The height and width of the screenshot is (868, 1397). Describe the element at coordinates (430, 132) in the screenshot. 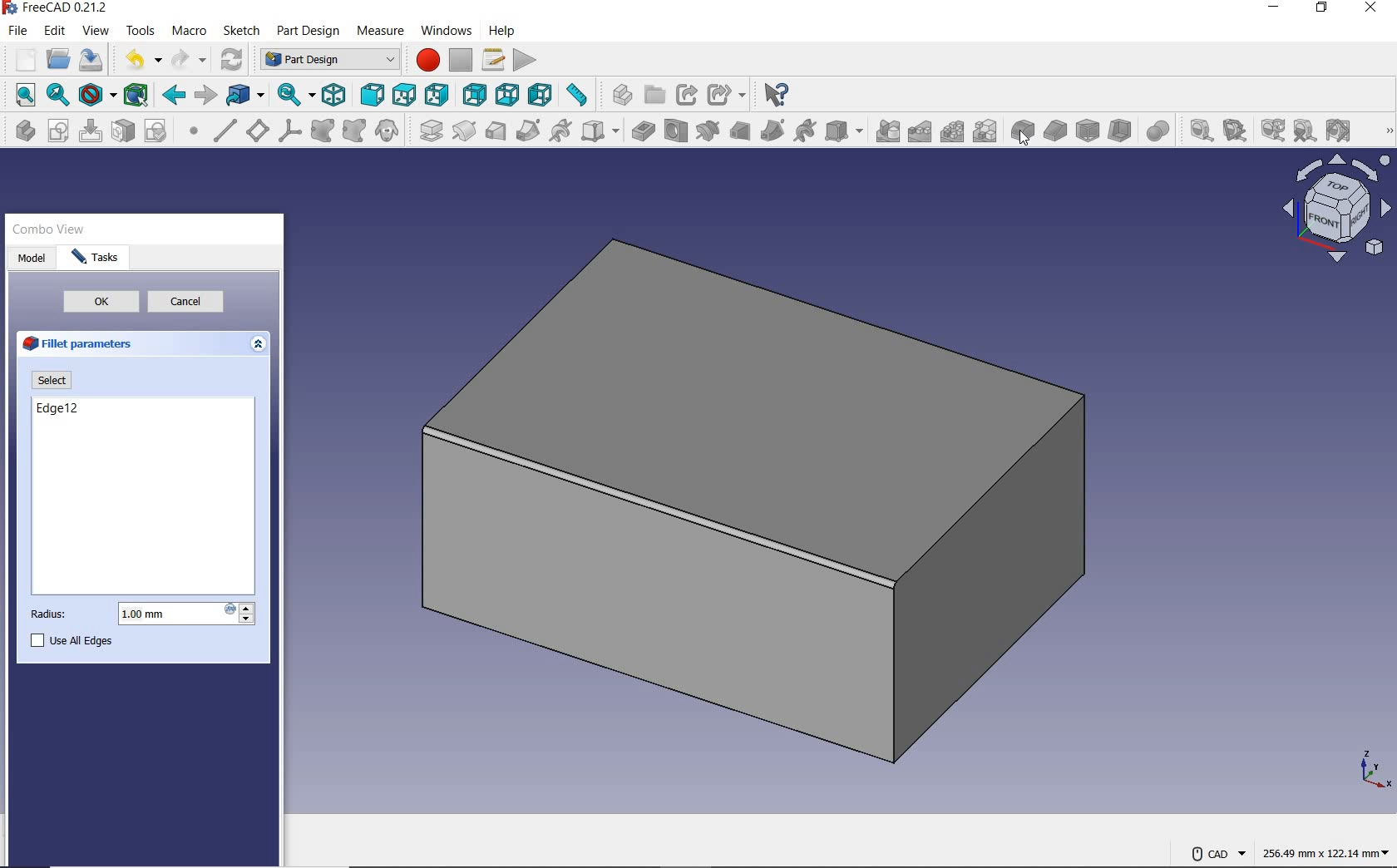

I see `pad` at that location.